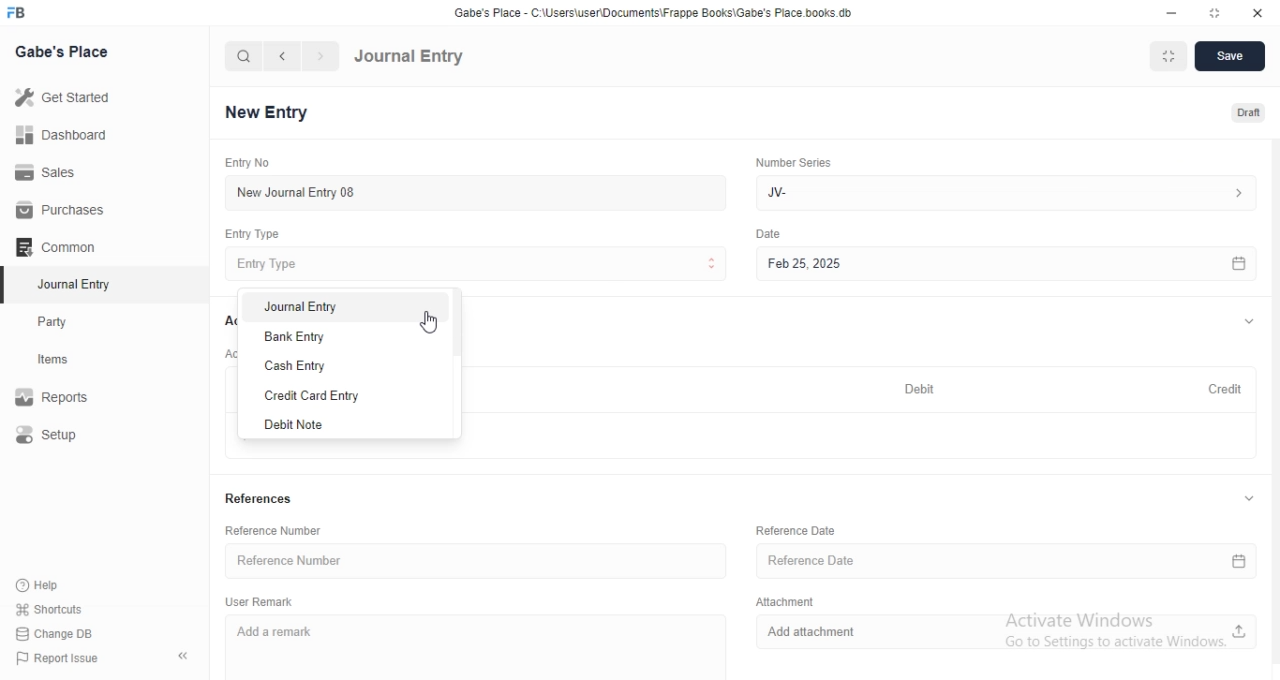 Image resolution: width=1280 pixels, height=680 pixels. What do you see at coordinates (486, 646) in the screenshot?
I see `Add a remark` at bounding box center [486, 646].